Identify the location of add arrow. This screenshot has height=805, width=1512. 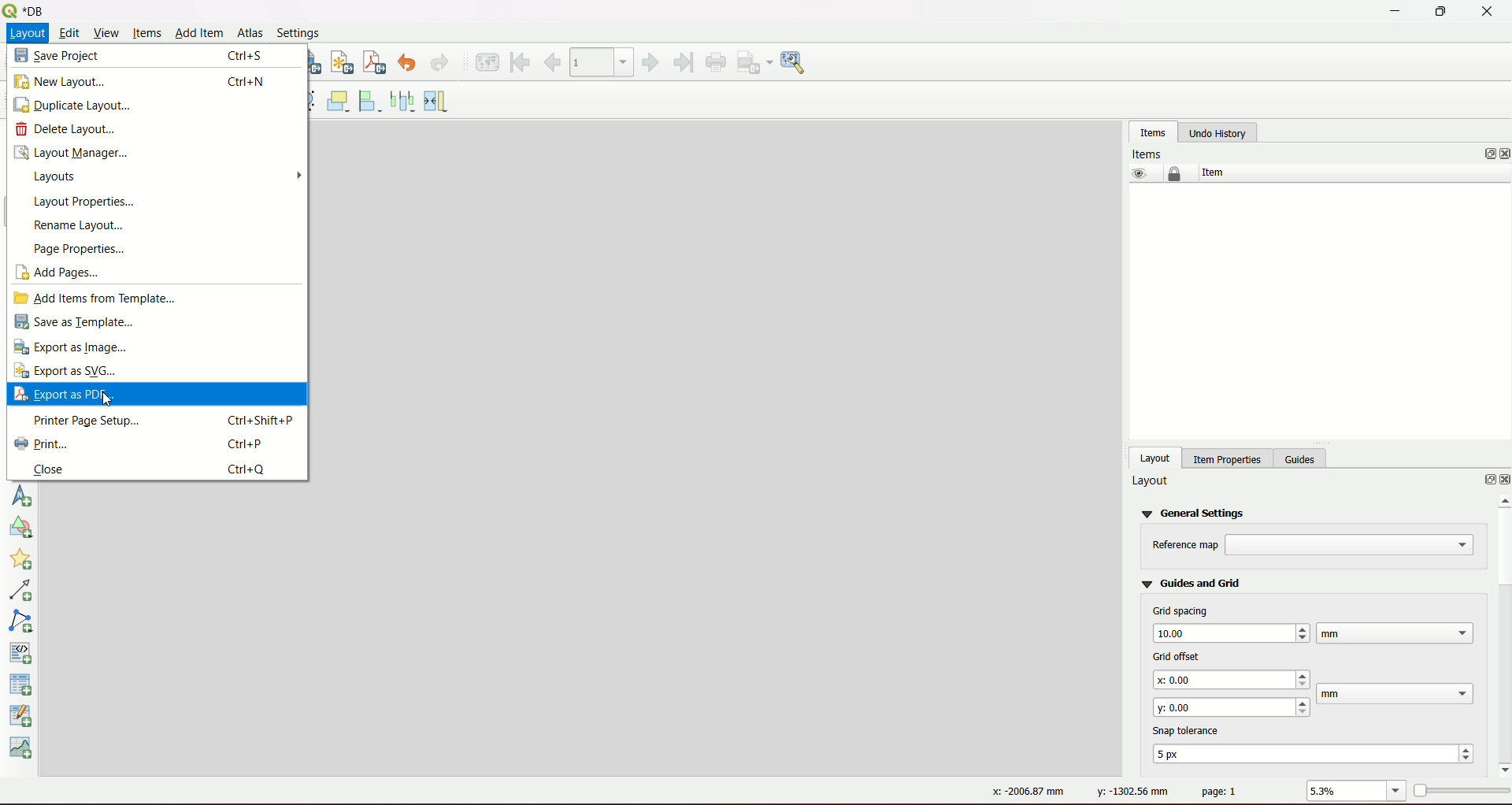
(24, 592).